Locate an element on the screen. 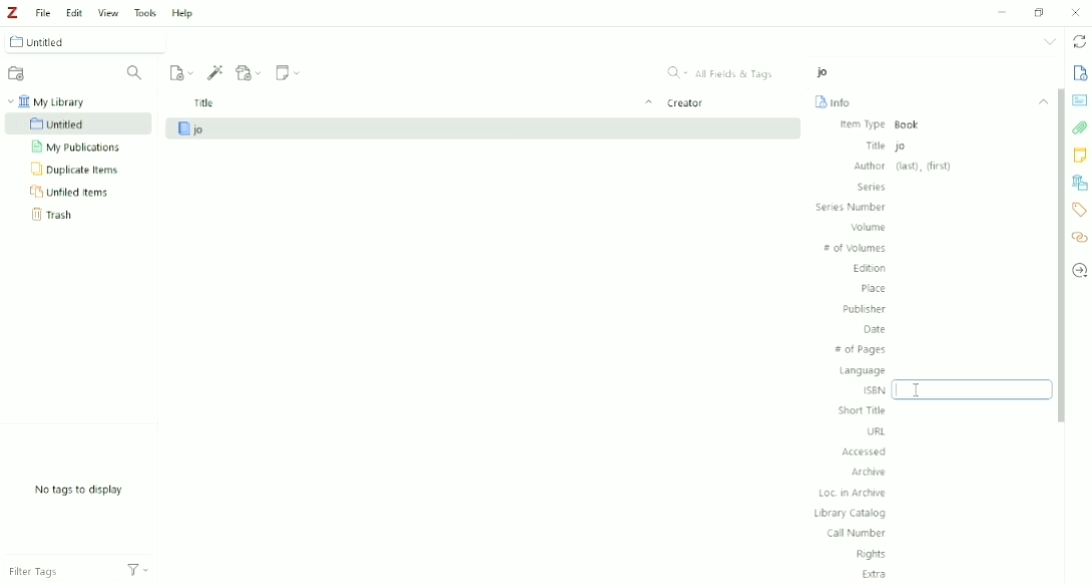 The image size is (1092, 584). My Library is located at coordinates (55, 101).